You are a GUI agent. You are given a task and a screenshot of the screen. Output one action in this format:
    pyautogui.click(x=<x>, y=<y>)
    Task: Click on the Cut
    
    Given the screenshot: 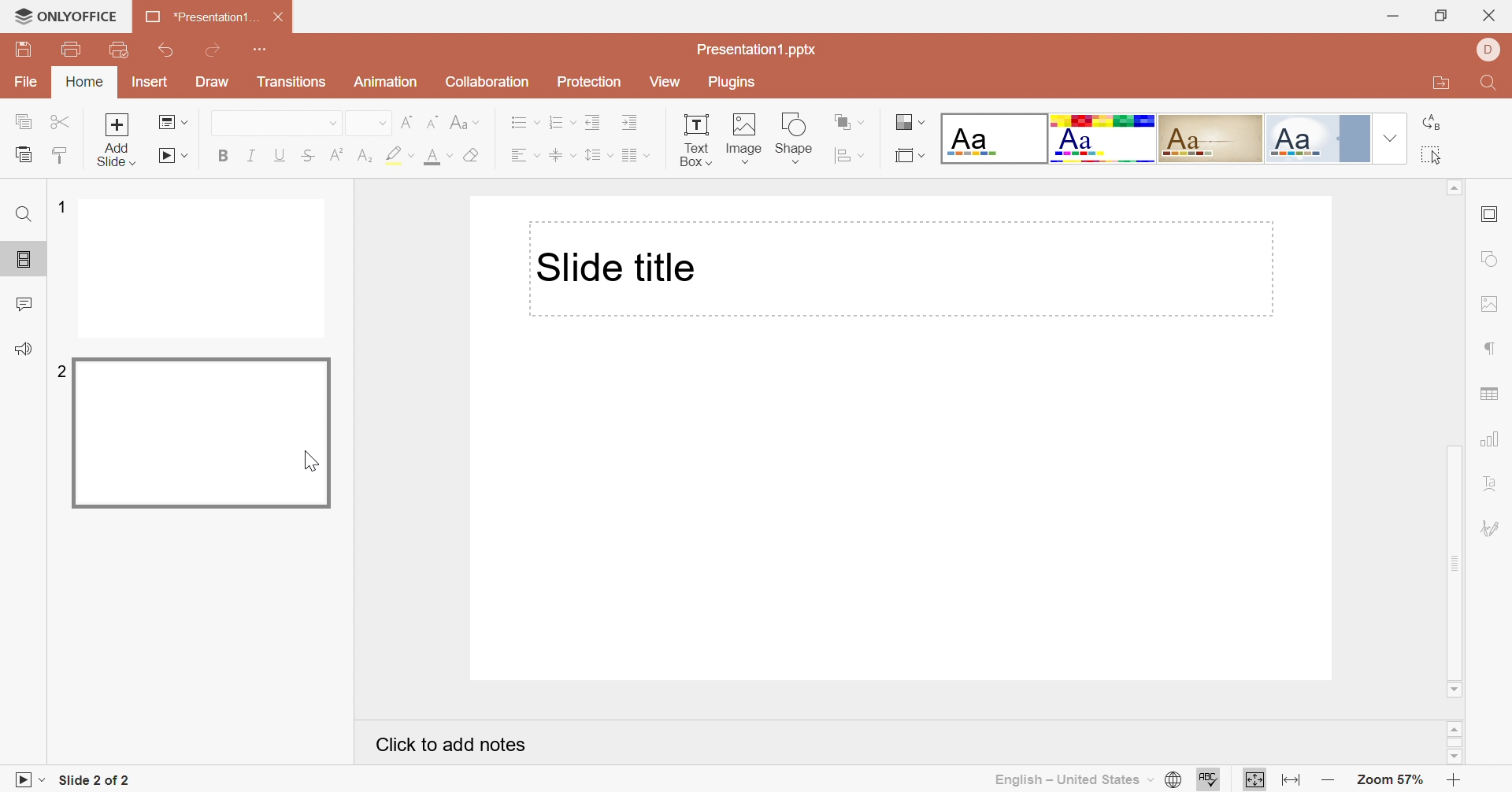 What is the action you would take?
    pyautogui.click(x=64, y=121)
    